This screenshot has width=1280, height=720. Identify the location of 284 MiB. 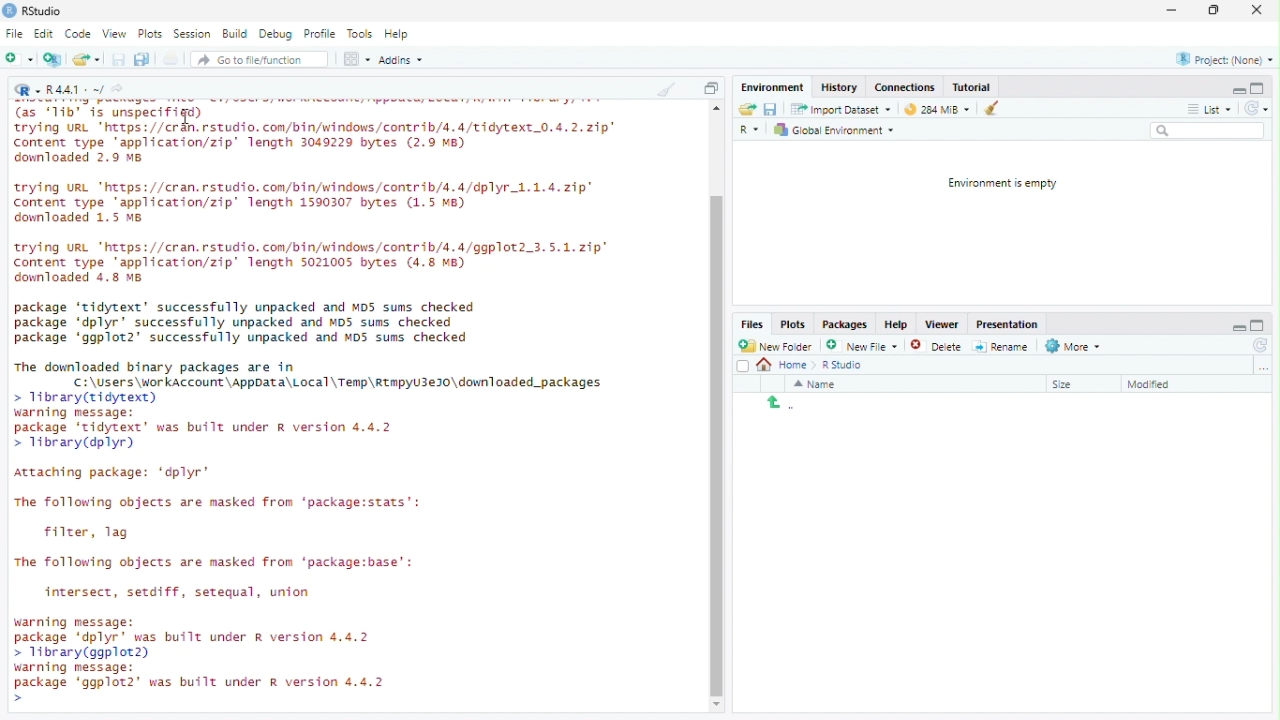
(934, 107).